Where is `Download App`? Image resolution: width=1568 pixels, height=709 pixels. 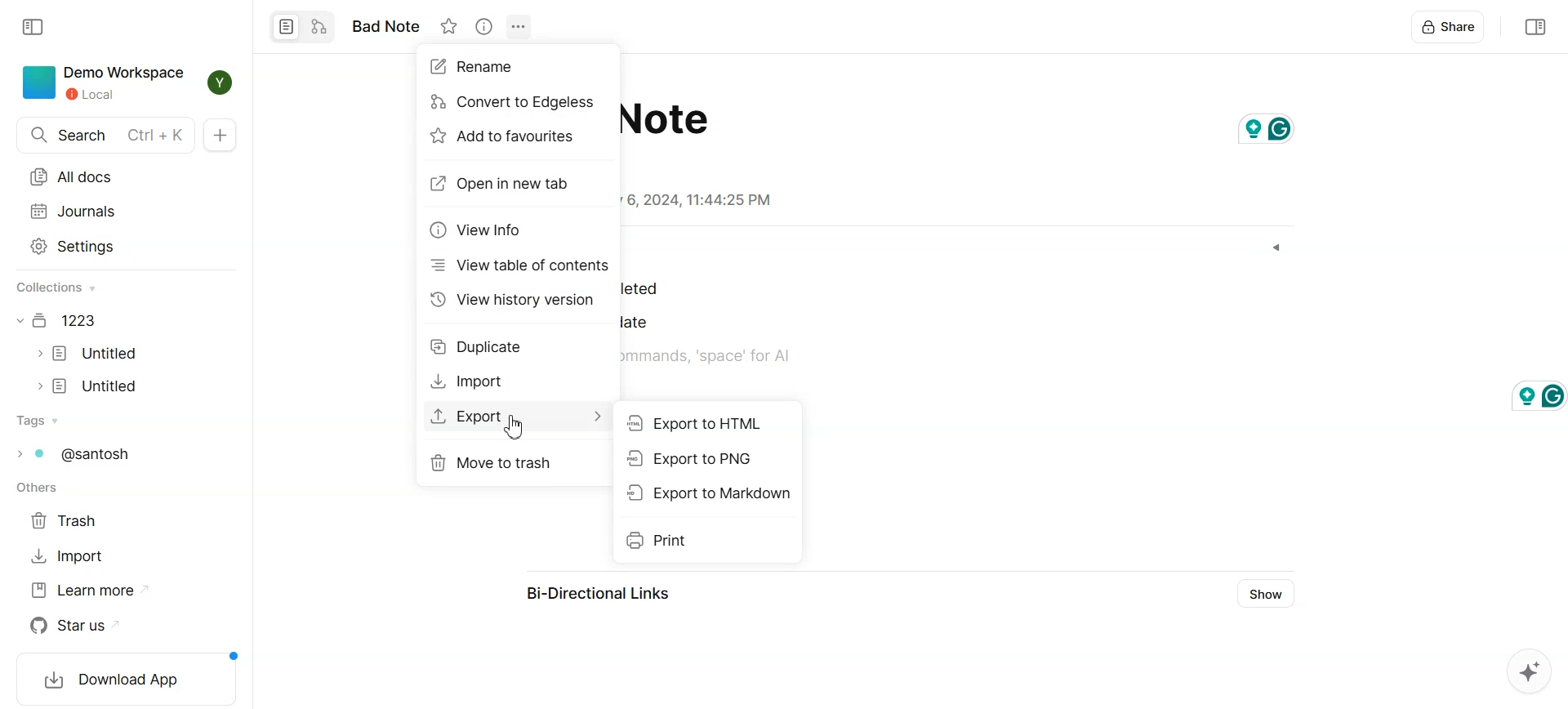 Download App is located at coordinates (122, 680).